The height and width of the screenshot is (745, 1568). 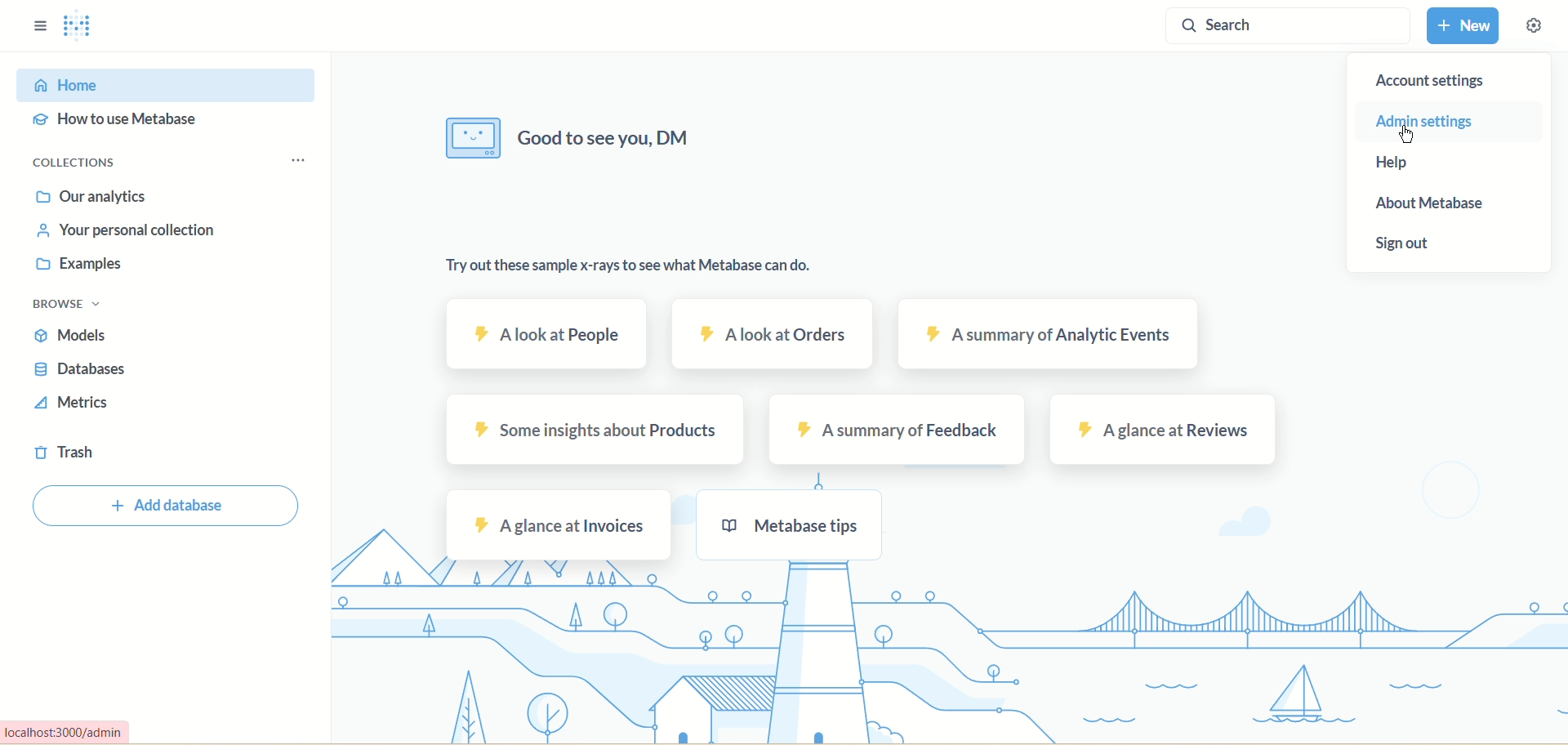 I want to click on analytics, so click(x=96, y=199).